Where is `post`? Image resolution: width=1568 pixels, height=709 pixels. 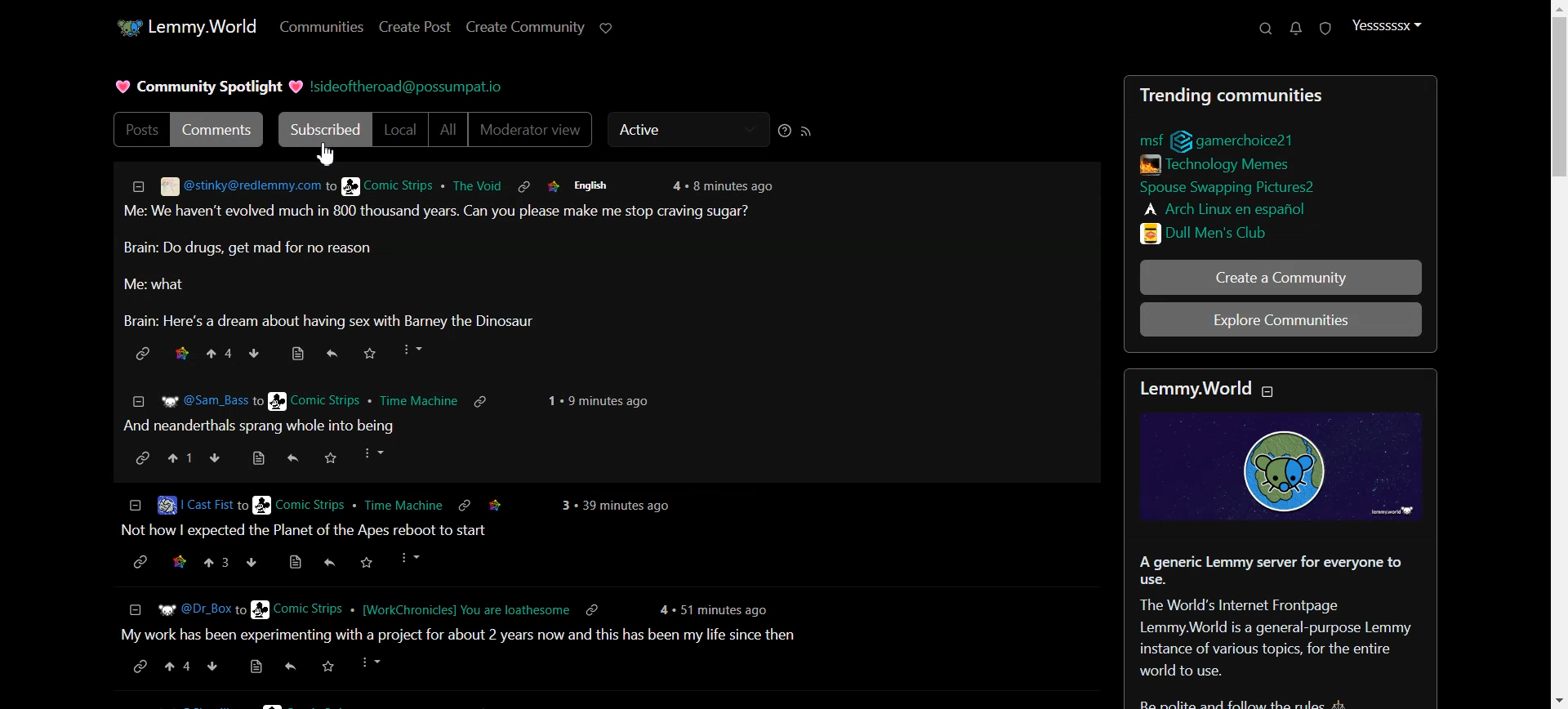 post is located at coordinates (265, 426).